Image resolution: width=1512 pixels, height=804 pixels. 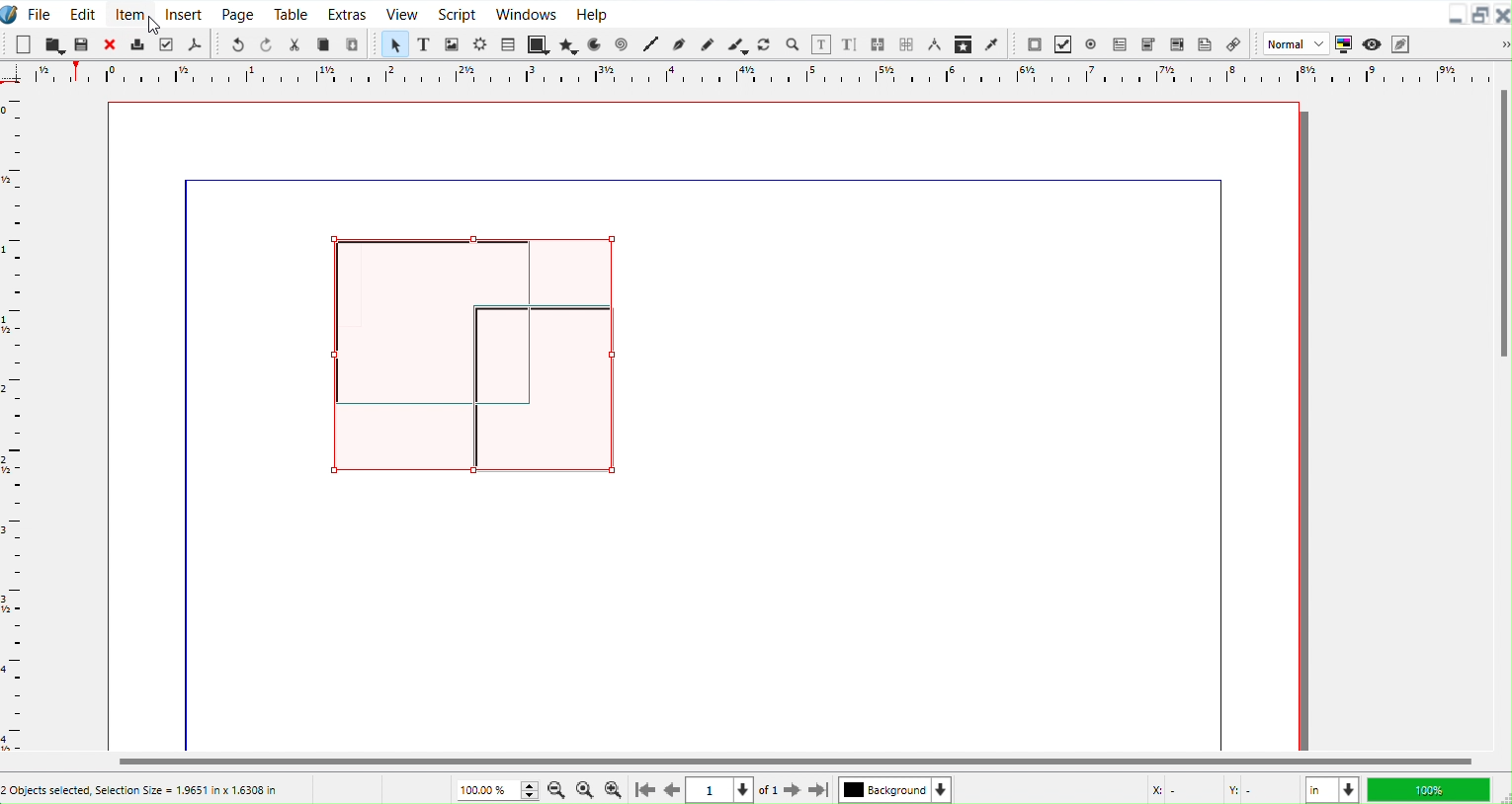 What do you see at coordinates (1342, 44) in the screenshot?
I see `Toggle color` at bounding box center [1342, 44].